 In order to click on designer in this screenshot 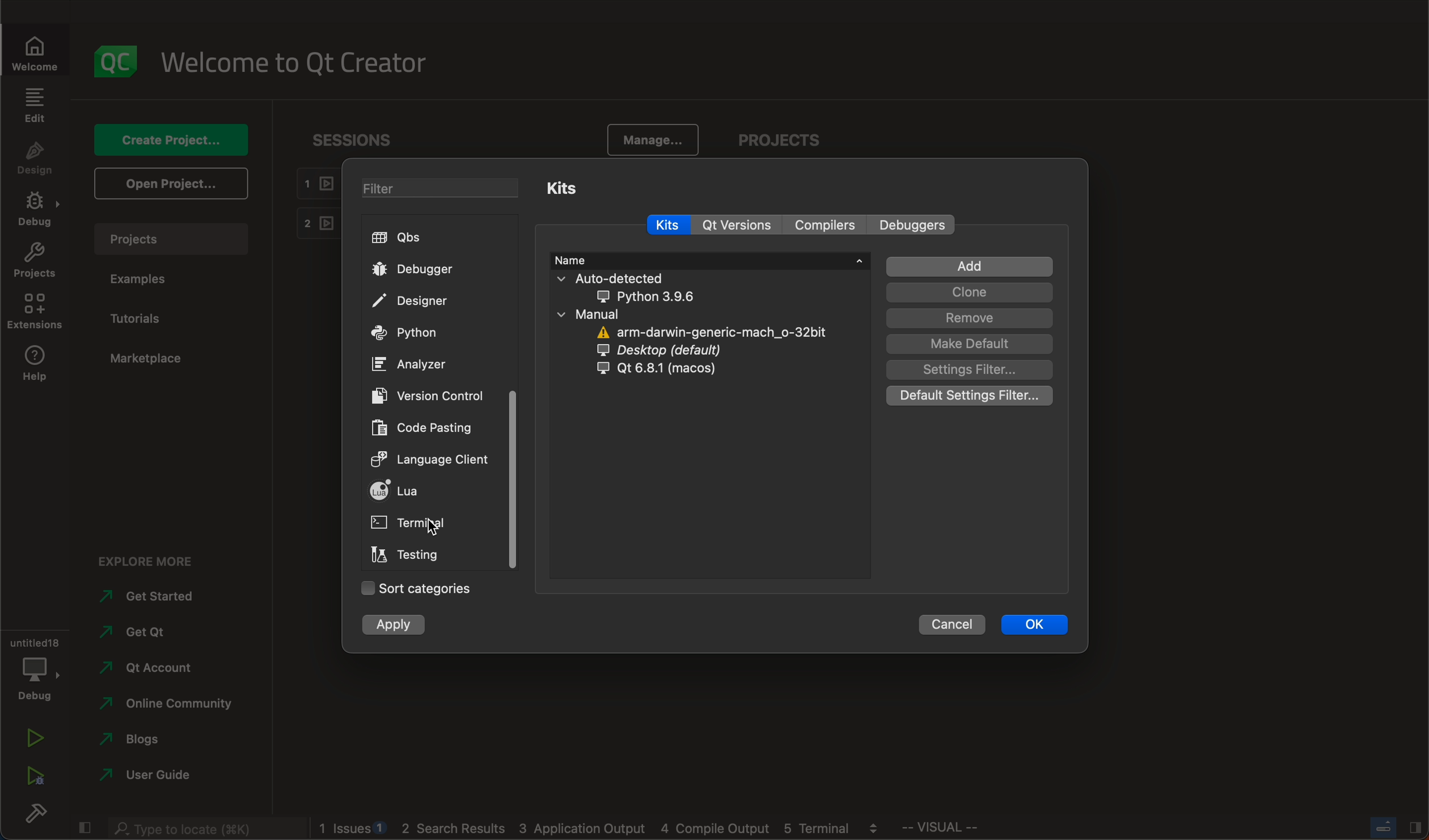, I will do `click(421, 300)`.